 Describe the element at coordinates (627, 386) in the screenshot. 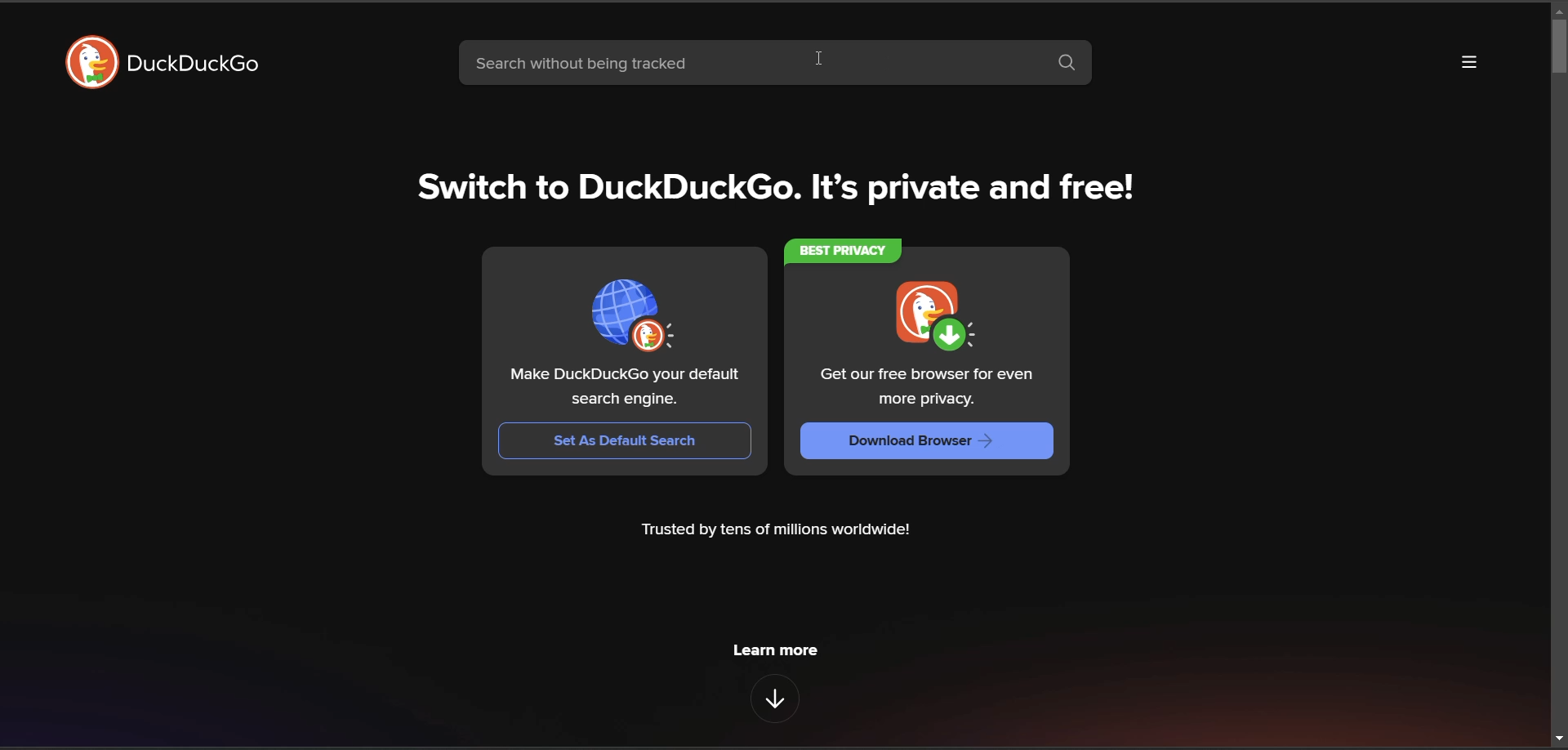

I see `Make DuckDuckGo your default search engine.` at that location.